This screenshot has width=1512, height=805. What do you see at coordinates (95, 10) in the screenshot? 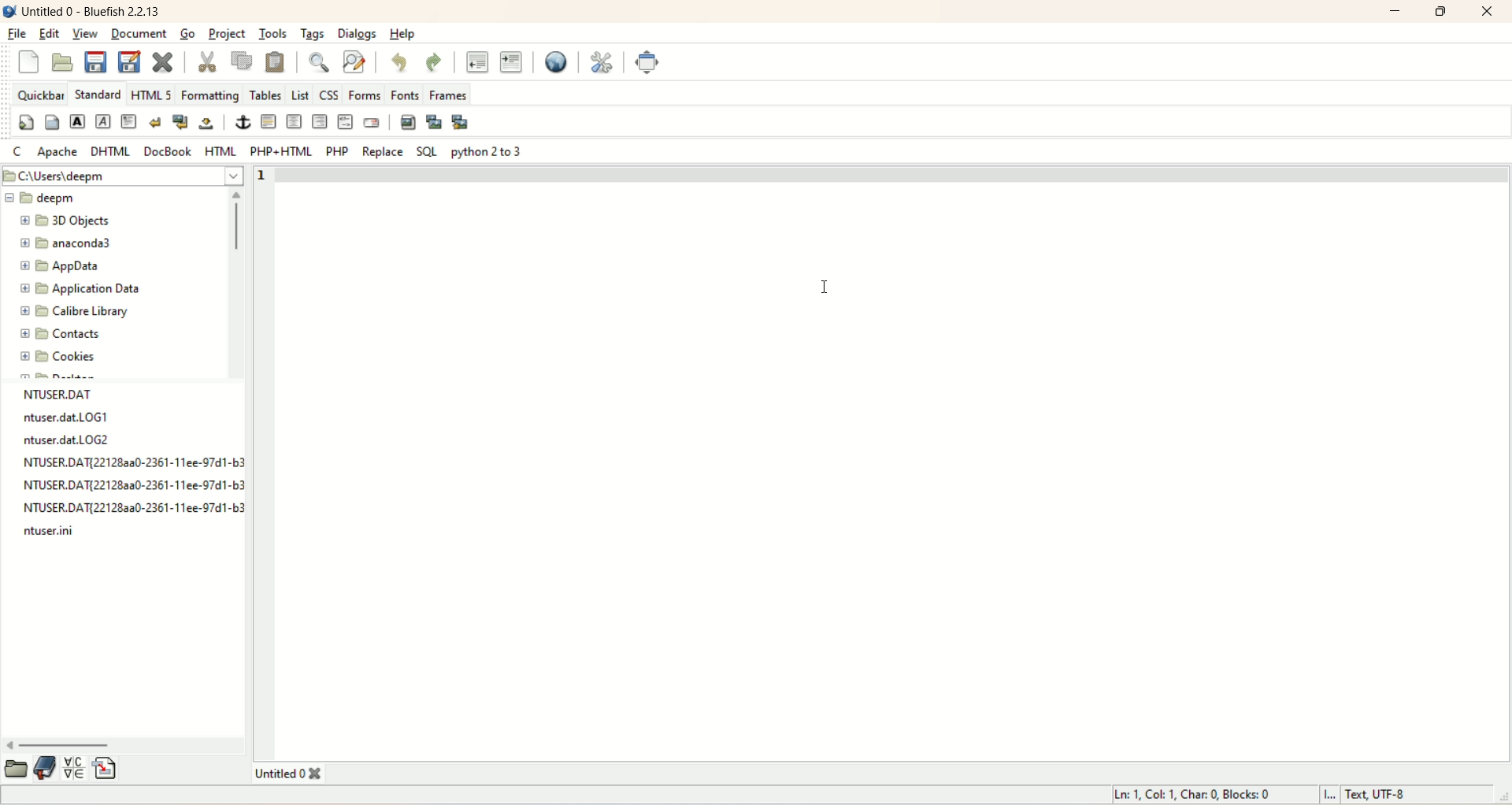
I see `title` at bounding box center [95, 10].